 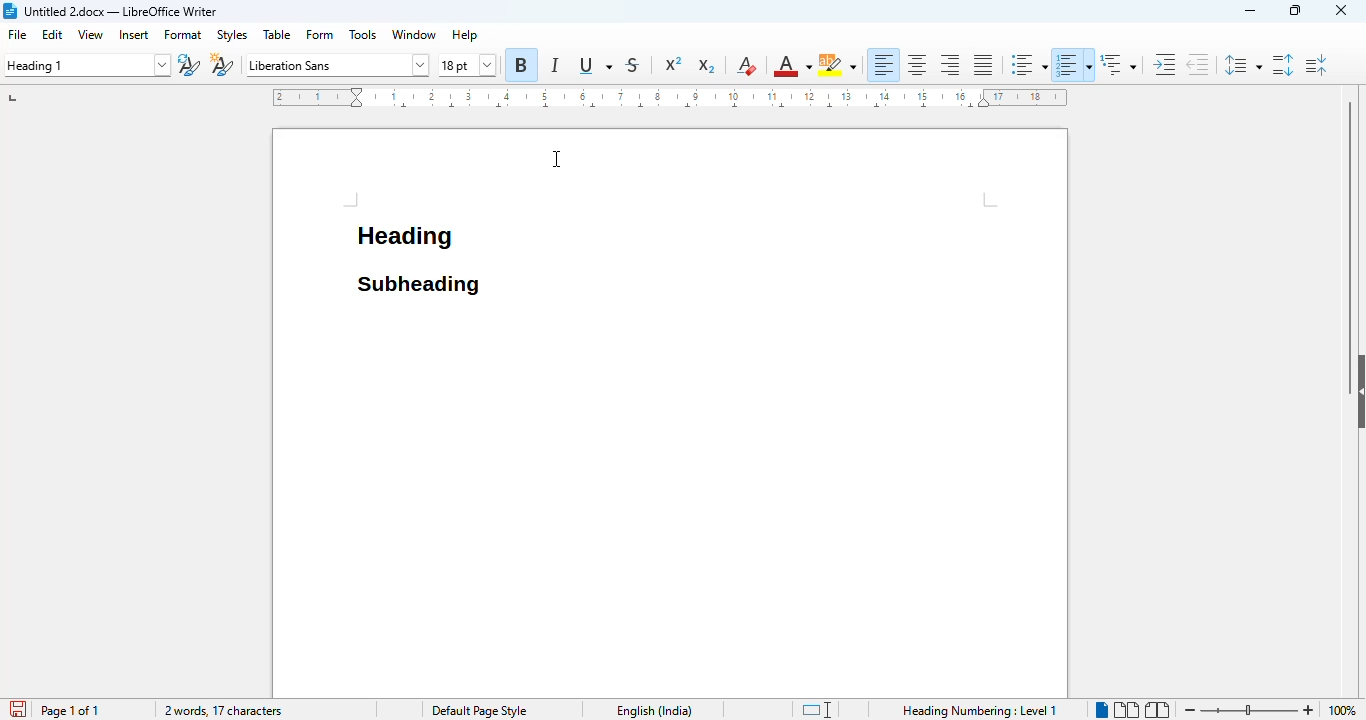 I want to click on file, so click(x=19, y=35).